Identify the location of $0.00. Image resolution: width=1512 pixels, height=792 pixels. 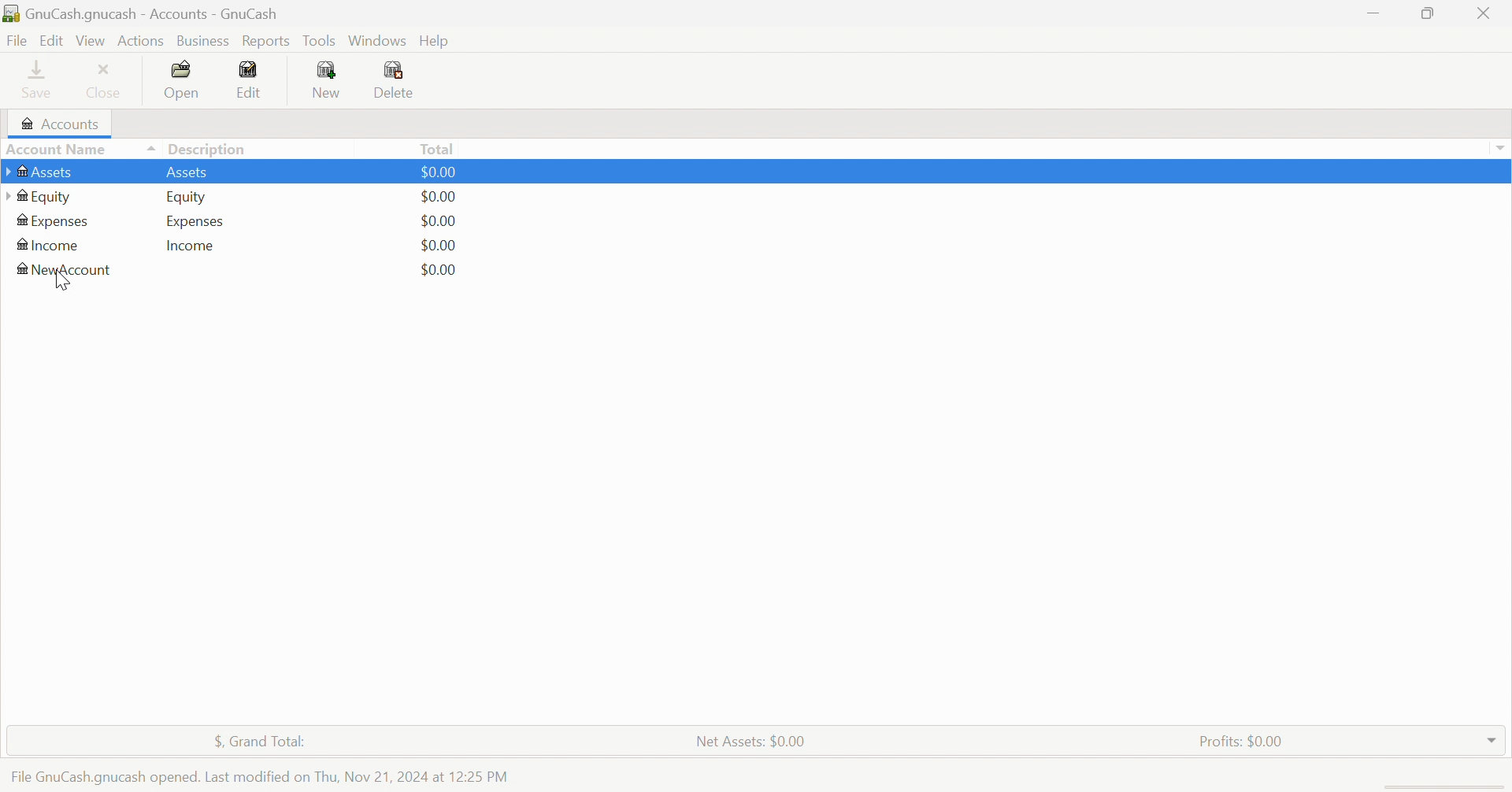
(439, 270).